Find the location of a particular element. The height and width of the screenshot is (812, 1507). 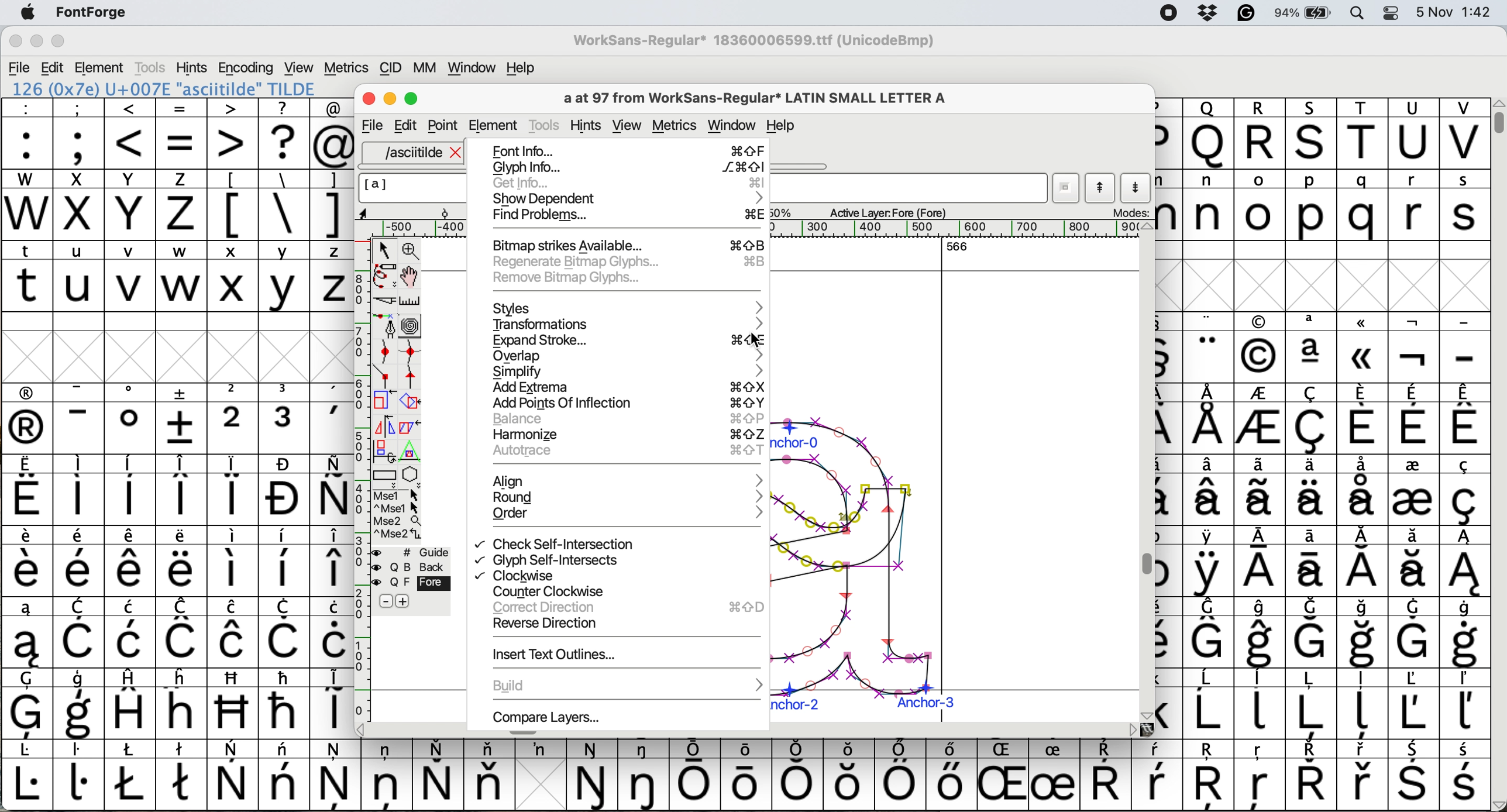

maximise is located at coordinates (59, 44).